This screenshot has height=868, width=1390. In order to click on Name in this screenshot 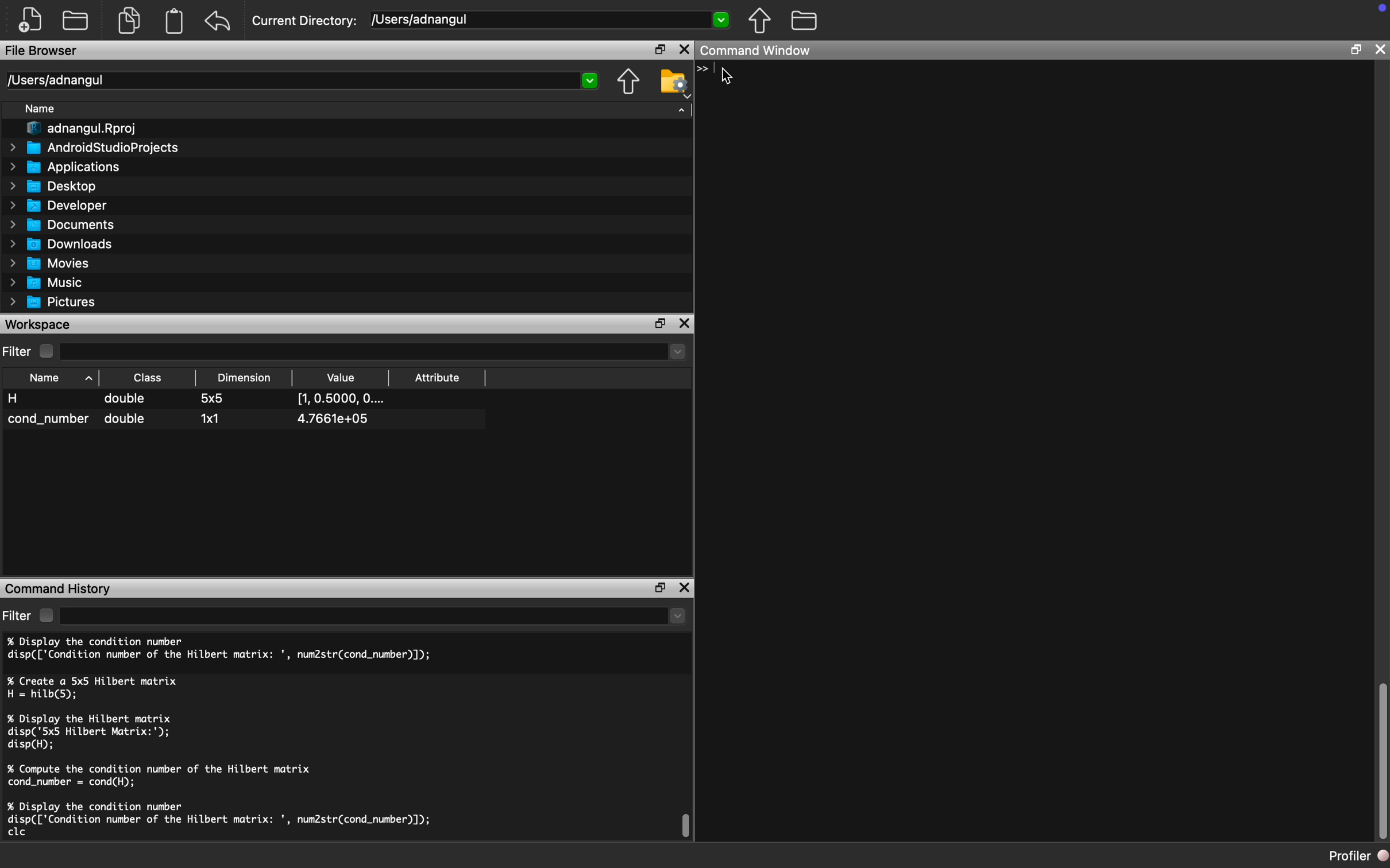, I will do `click(38, 108)`.